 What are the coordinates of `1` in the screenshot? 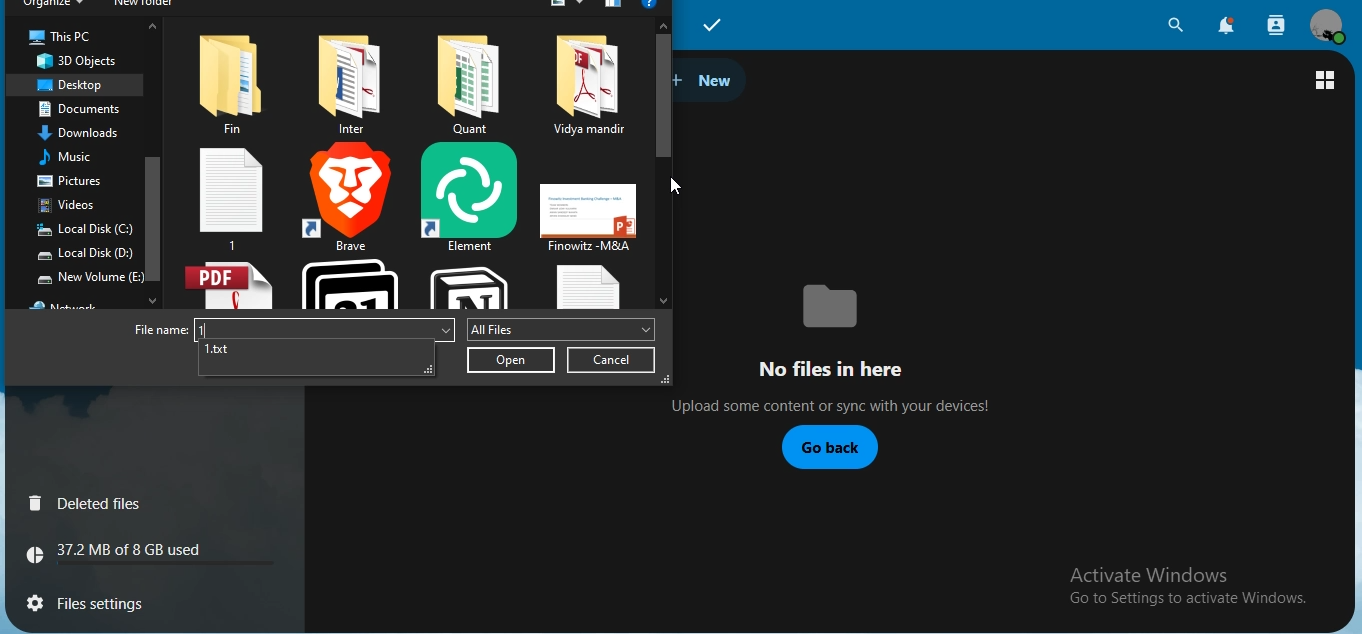 It's located at (232, 197).